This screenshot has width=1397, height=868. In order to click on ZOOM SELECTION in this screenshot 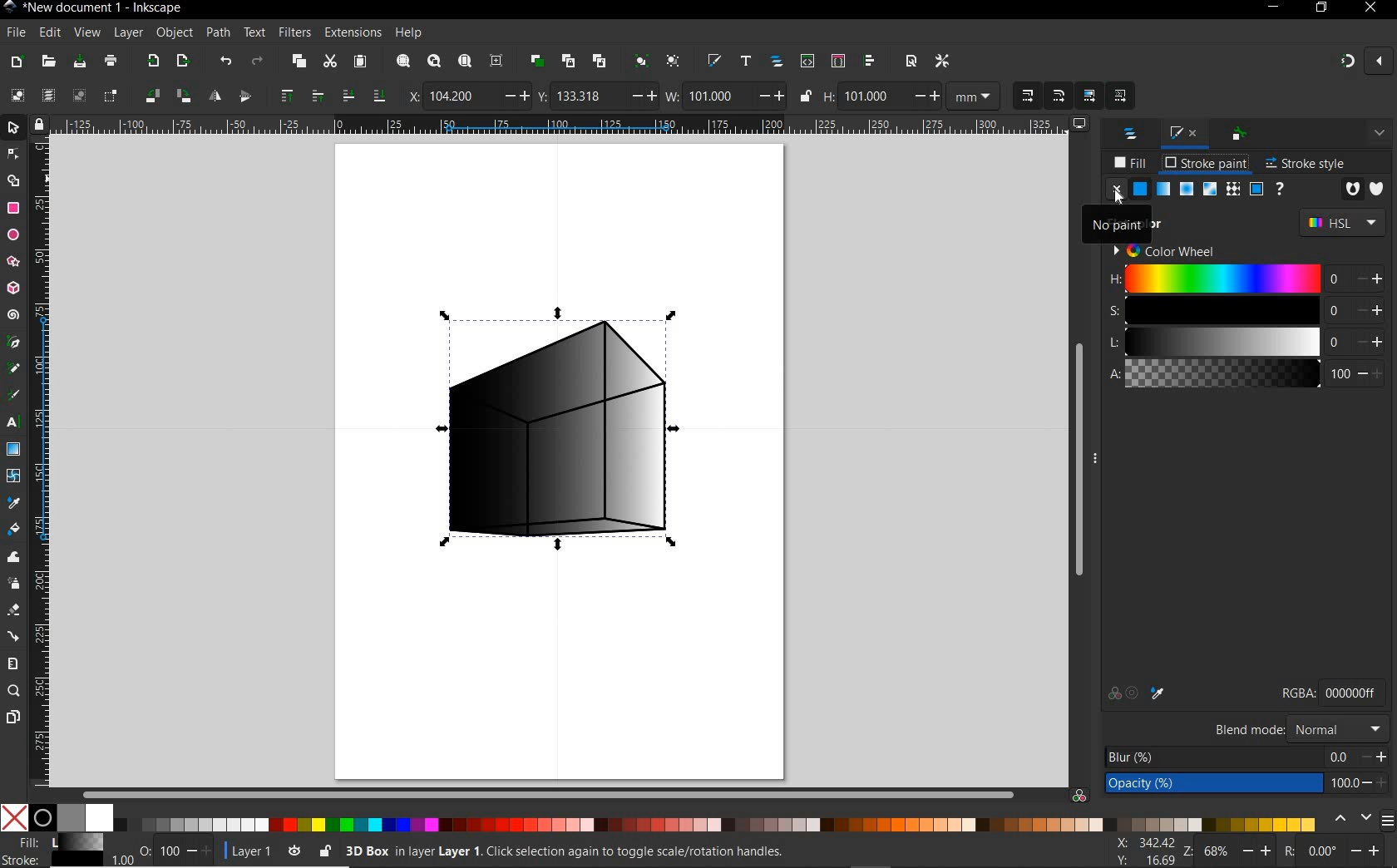, I will do `click(403, 61)`.